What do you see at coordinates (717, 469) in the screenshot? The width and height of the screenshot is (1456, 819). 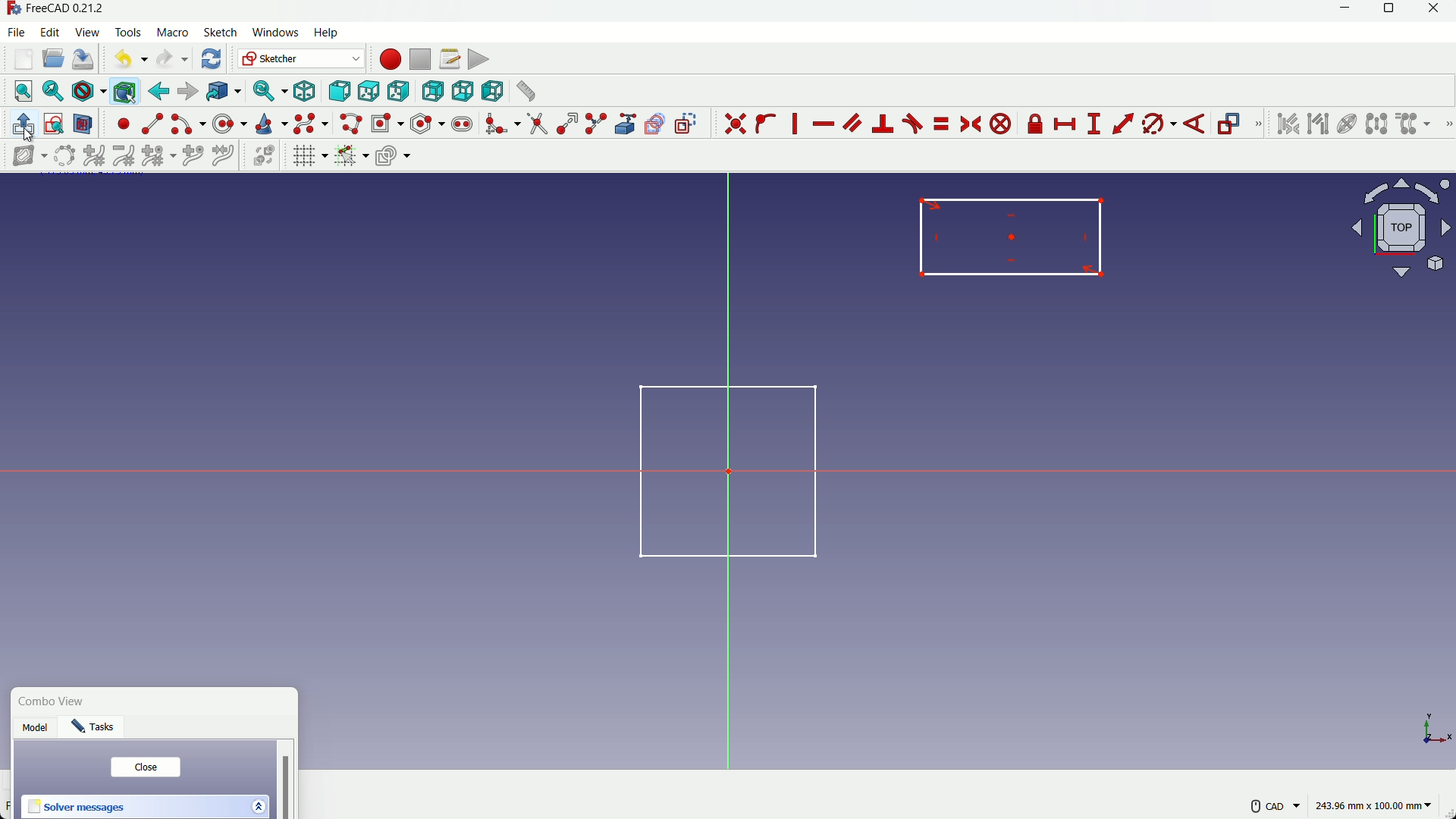 I see `sketch` at bounding box center [717, 469].